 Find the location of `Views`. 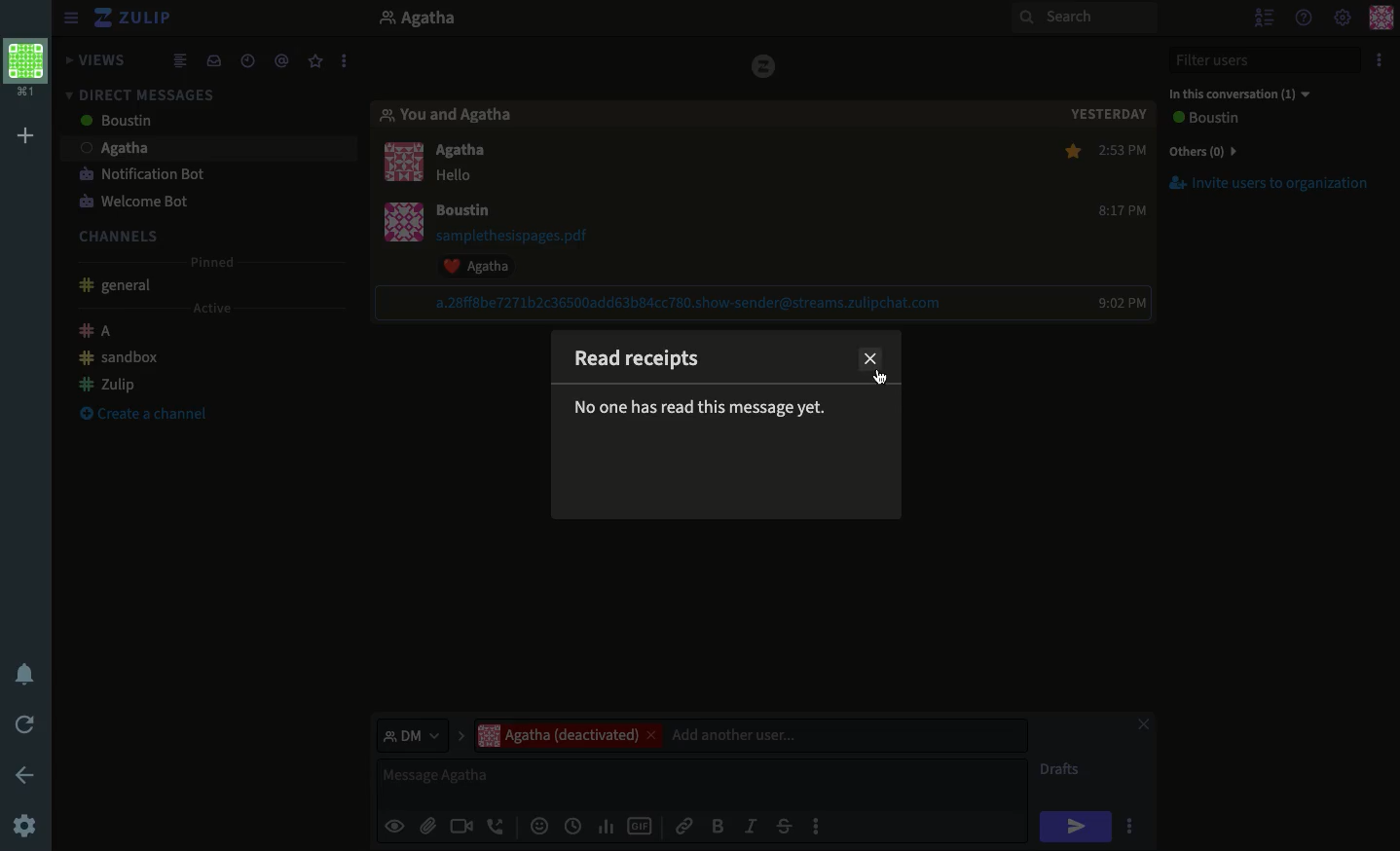

Views is located at coordinates (99, 61).